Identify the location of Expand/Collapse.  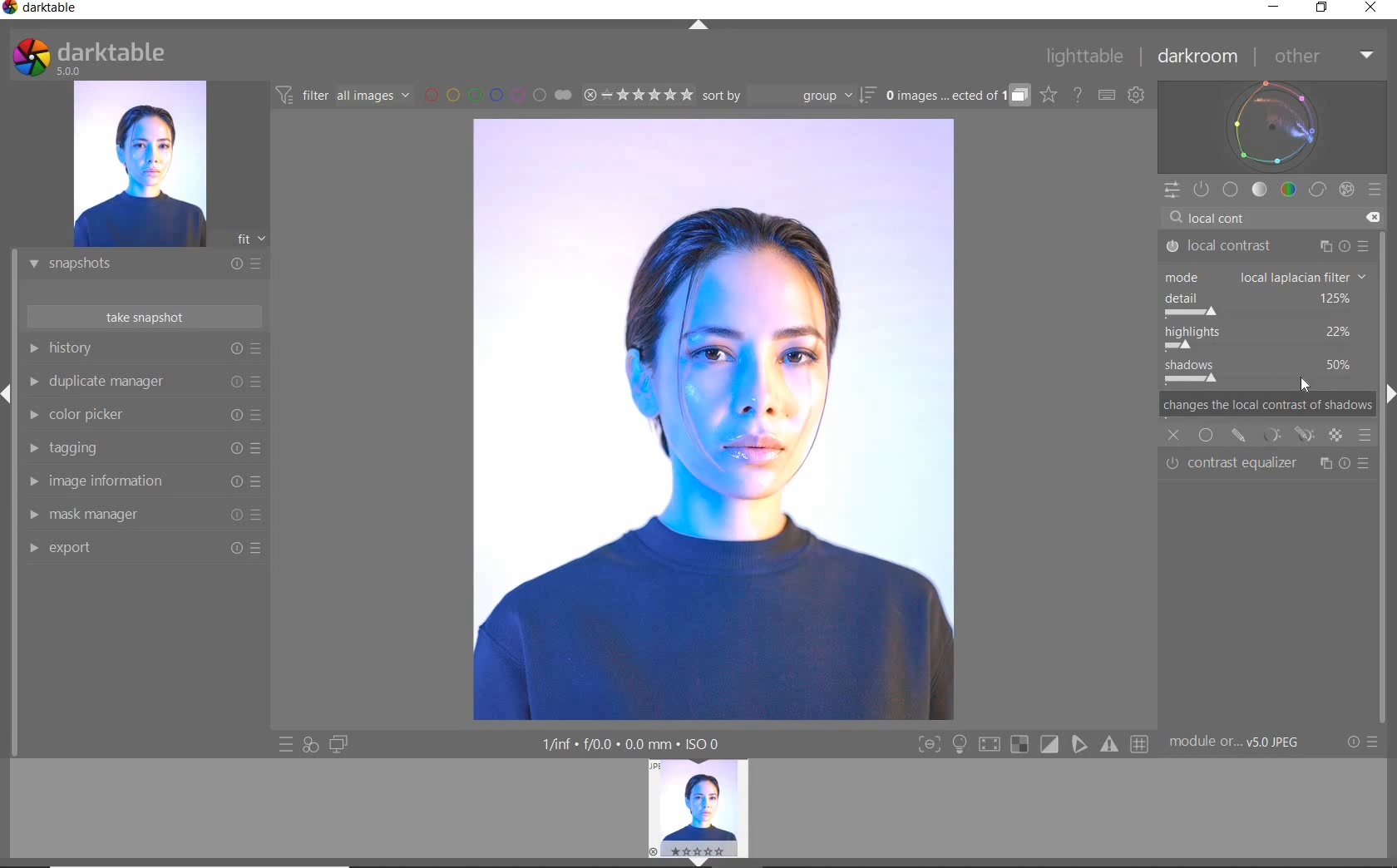
(8, 394).